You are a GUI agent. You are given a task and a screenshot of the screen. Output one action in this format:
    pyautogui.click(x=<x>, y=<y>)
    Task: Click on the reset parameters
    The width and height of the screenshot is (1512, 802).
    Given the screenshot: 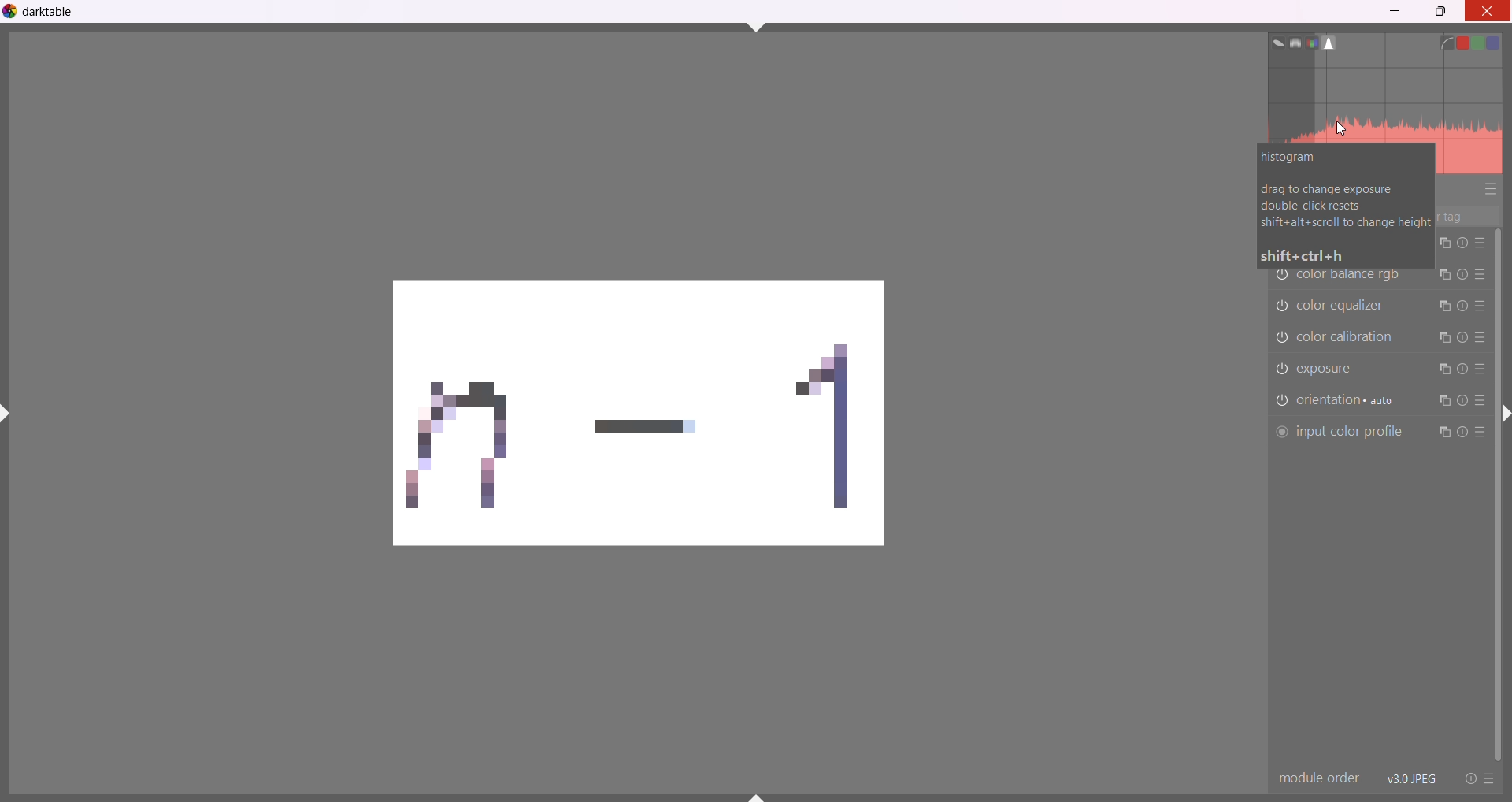 What is the action you would take?
    pyautogui.click(x=1462, y=304)
    